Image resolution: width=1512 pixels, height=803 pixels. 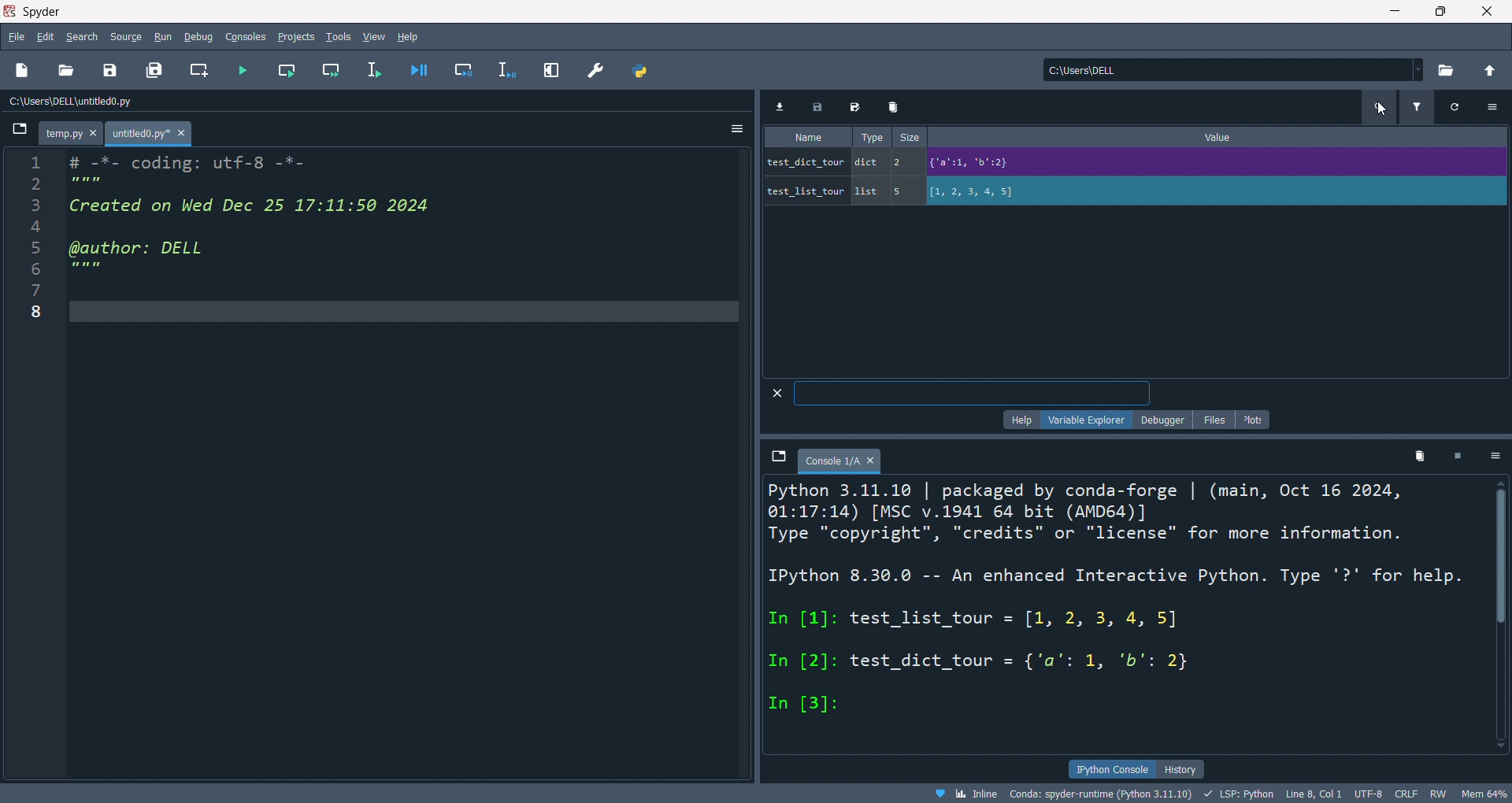 What do you see at coordinates (198, 72) in the screenshot?
I see `create cell` at bounding box center [198, 72].